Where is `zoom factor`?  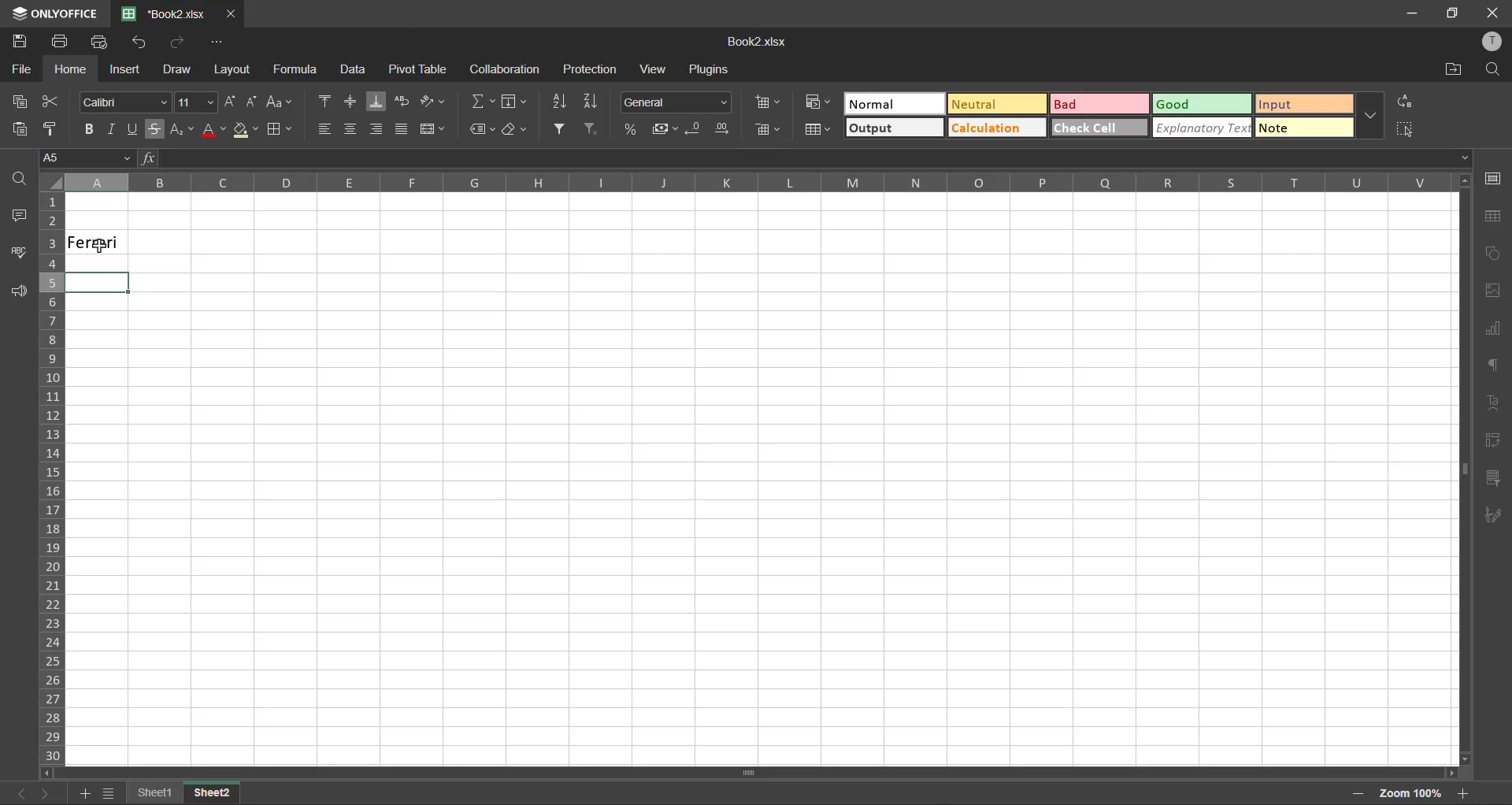 zoom factor is located at coordinates (1411, 793).